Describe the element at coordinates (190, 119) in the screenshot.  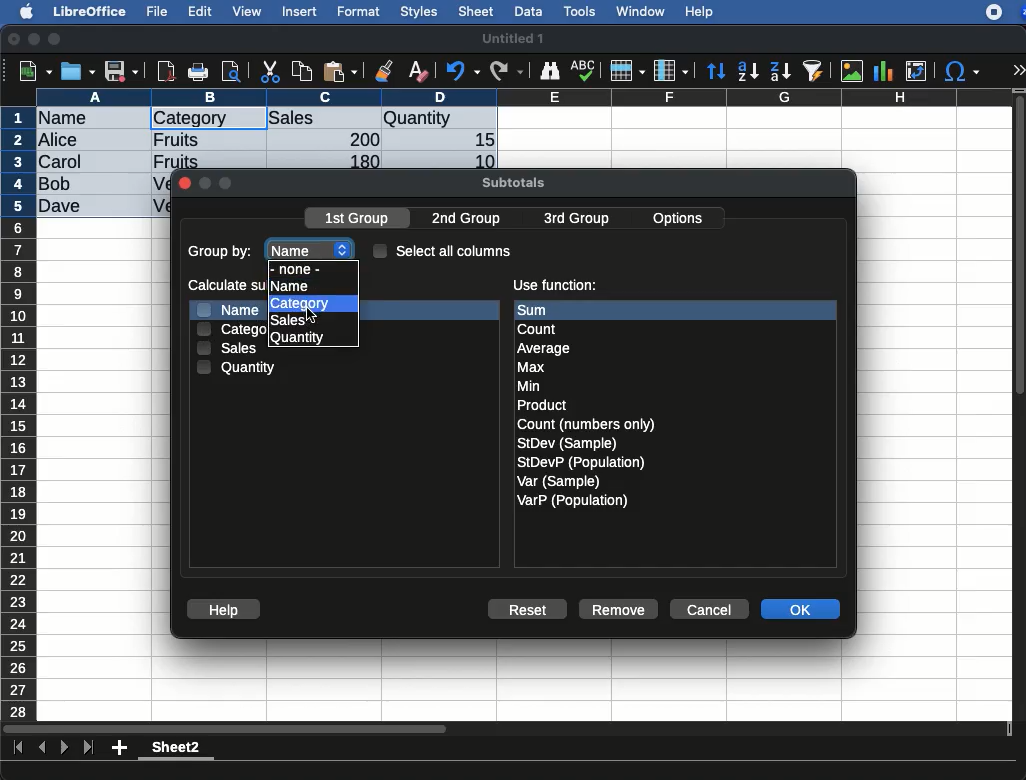
I see `category` at that location.